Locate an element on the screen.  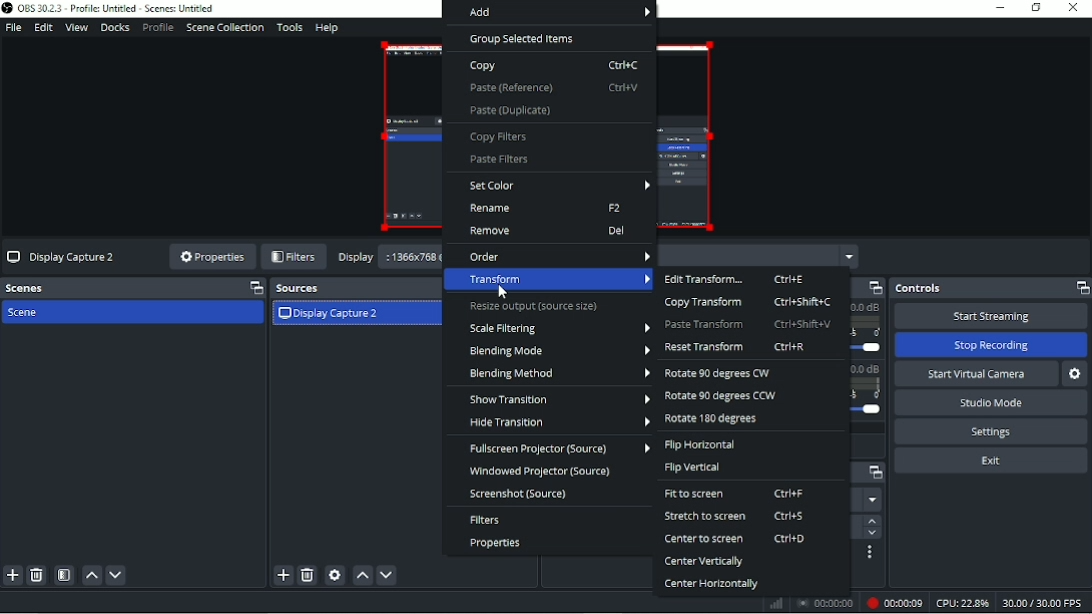
Paste transform is located at coordinates (749, 324).